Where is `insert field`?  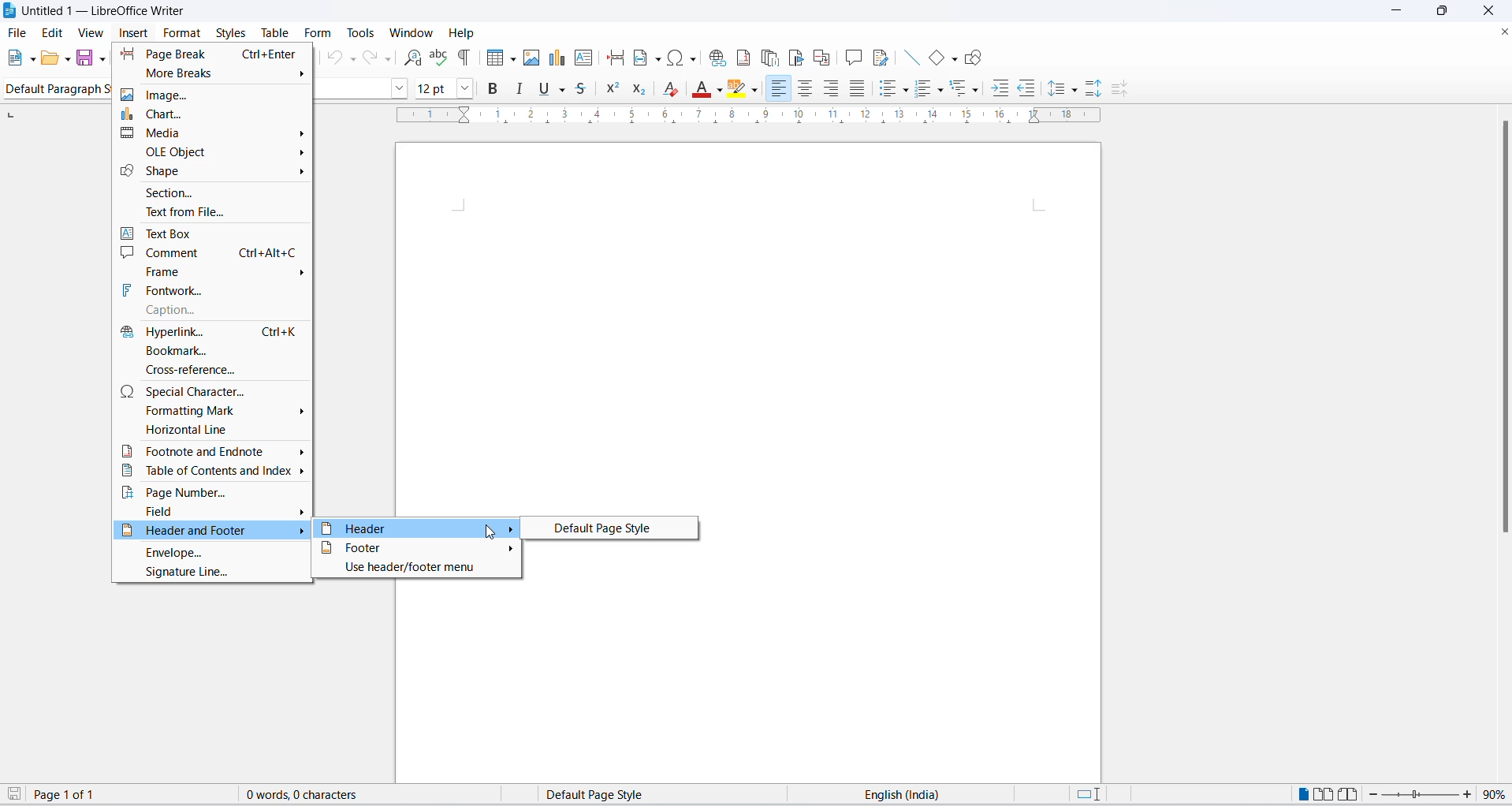 insert field is located at coordinates (646, 59).